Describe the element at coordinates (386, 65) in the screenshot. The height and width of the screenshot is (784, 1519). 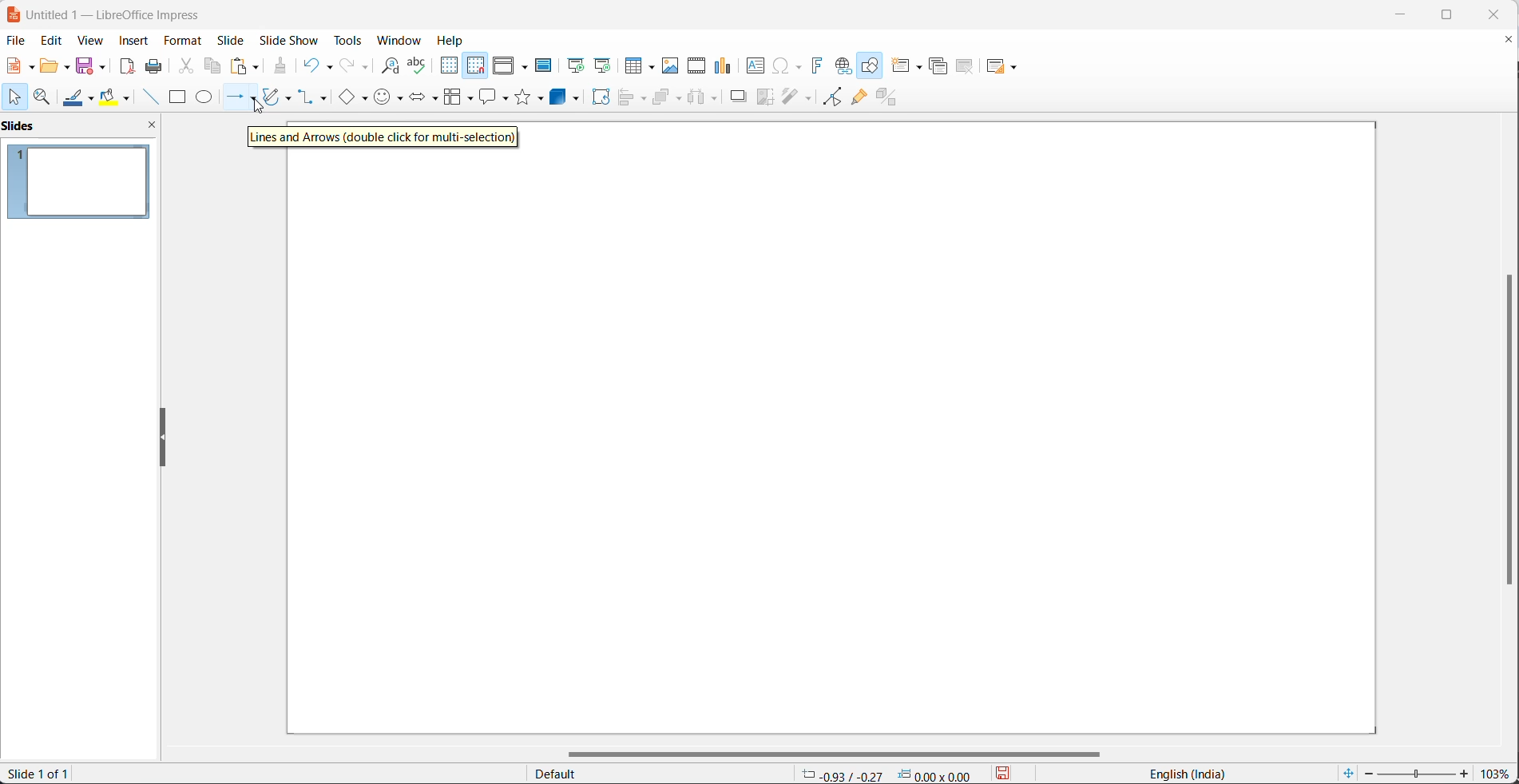
I see `find and replace` at that location.